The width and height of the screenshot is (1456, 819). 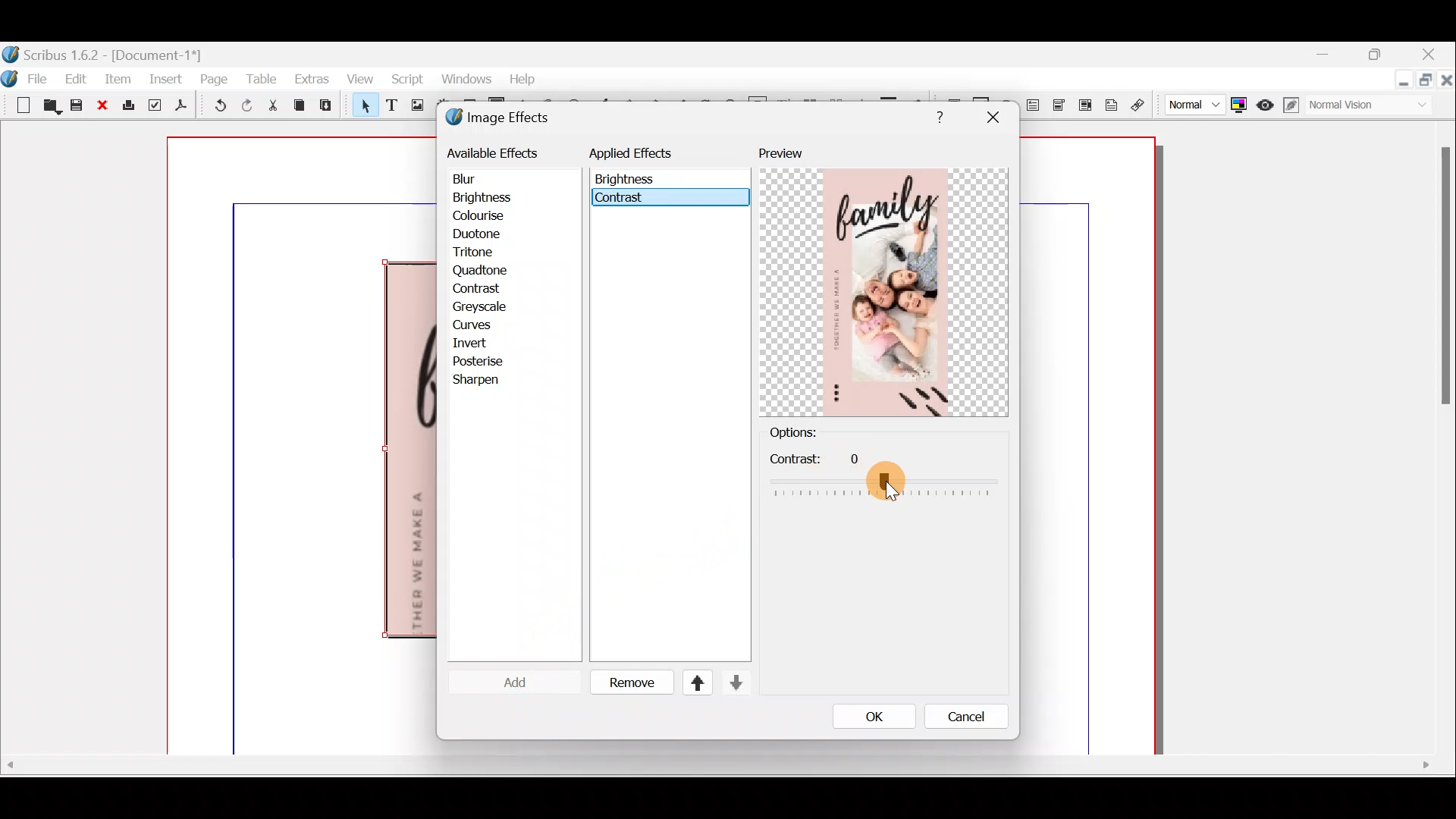 What do you see at coordinates (1111, 103) in the screenshot?
I see `Text annotation` at bounding box center [1111, 103].